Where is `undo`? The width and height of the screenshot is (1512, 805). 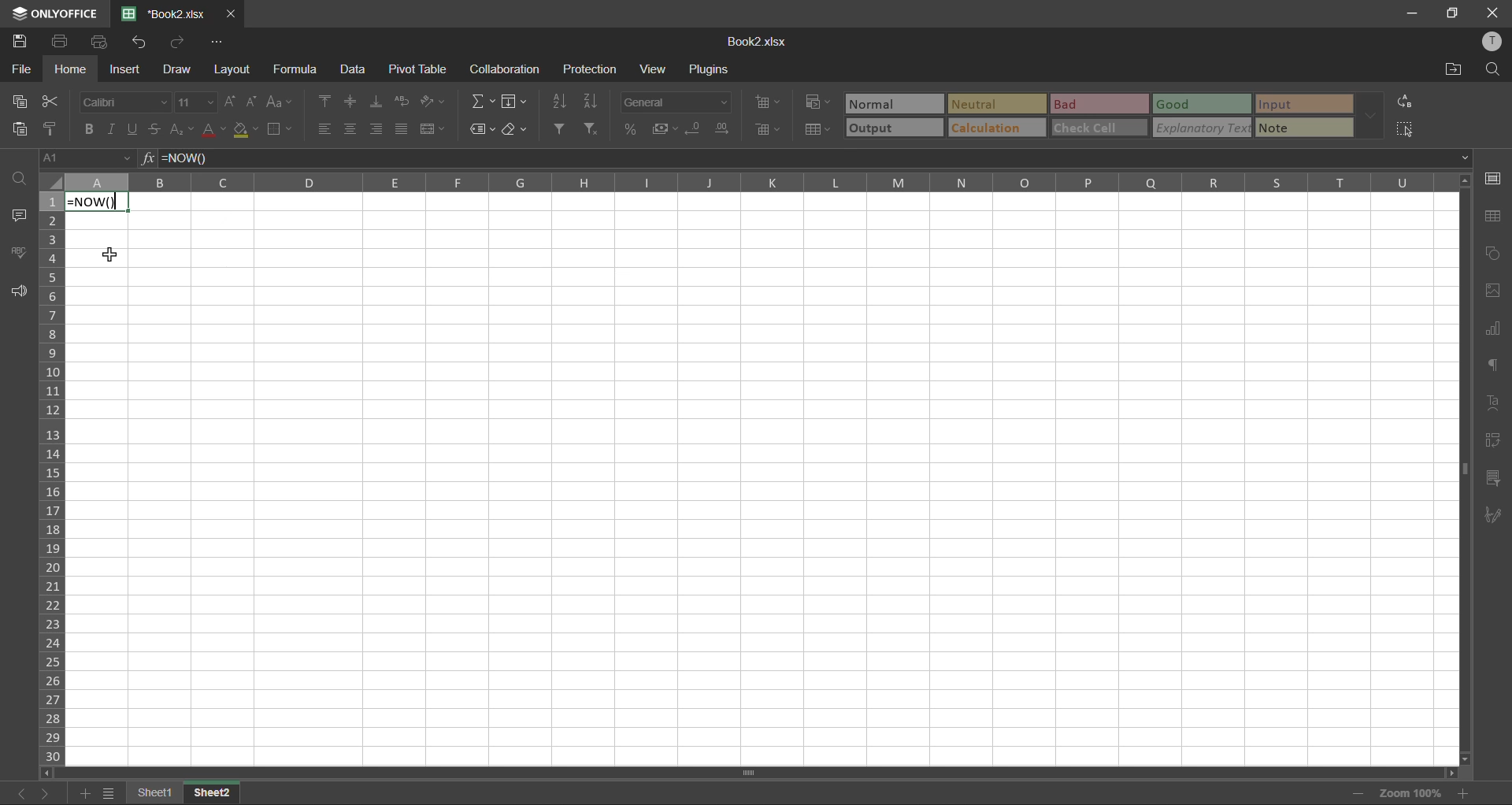
undo is located at coordinates (141, 42).